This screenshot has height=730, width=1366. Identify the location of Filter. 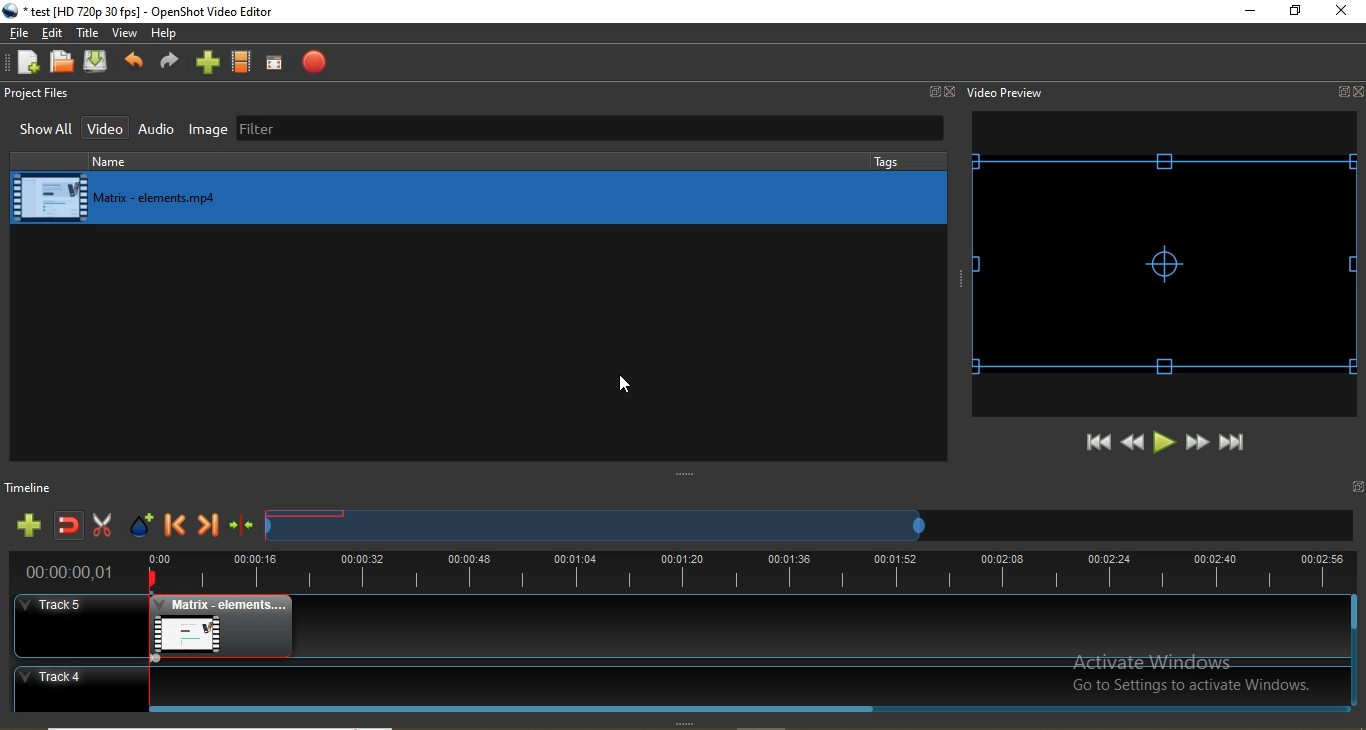
(590, 130).